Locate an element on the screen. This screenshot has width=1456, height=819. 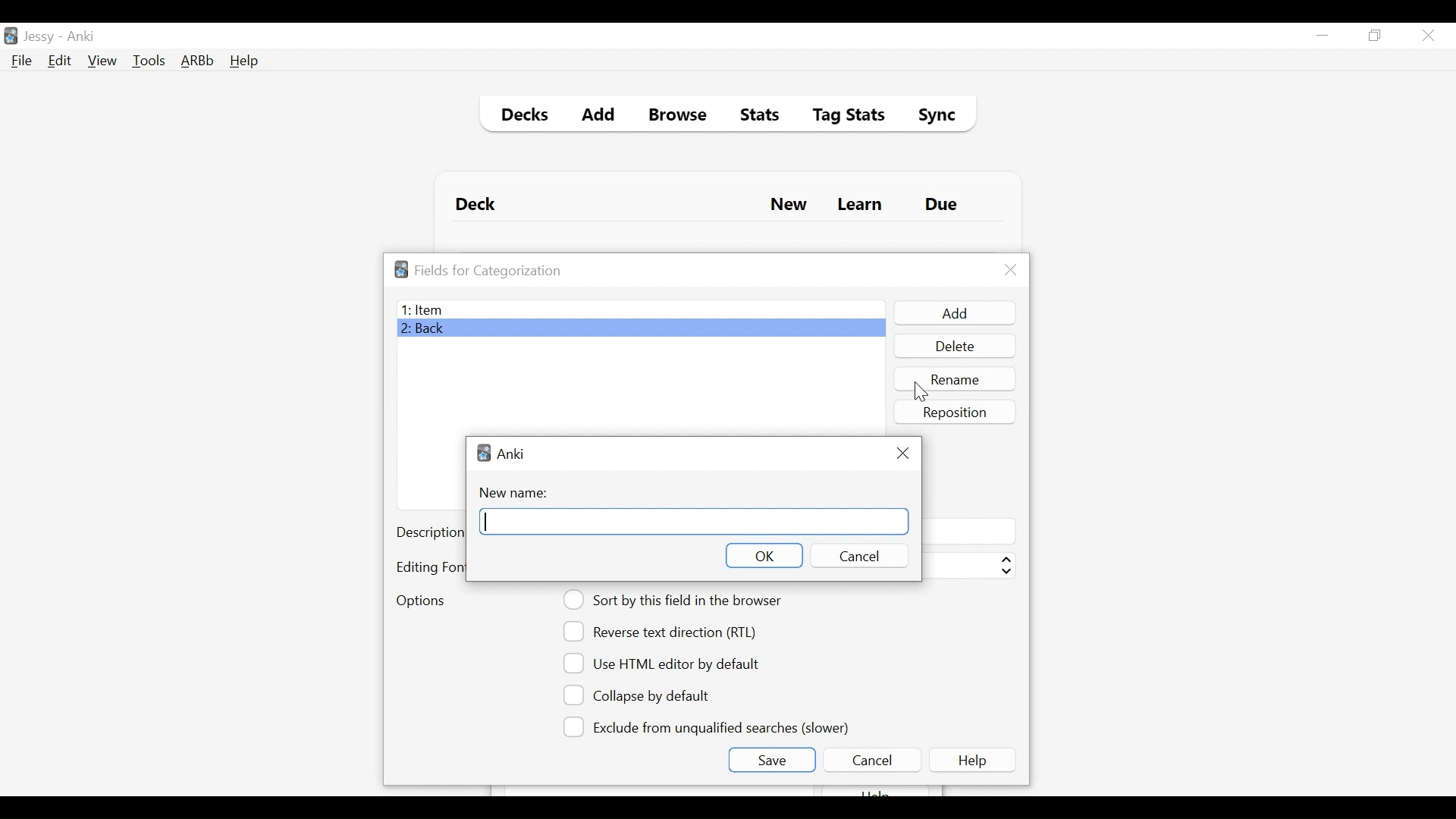
Application logo is located at coordinates (401, 269).